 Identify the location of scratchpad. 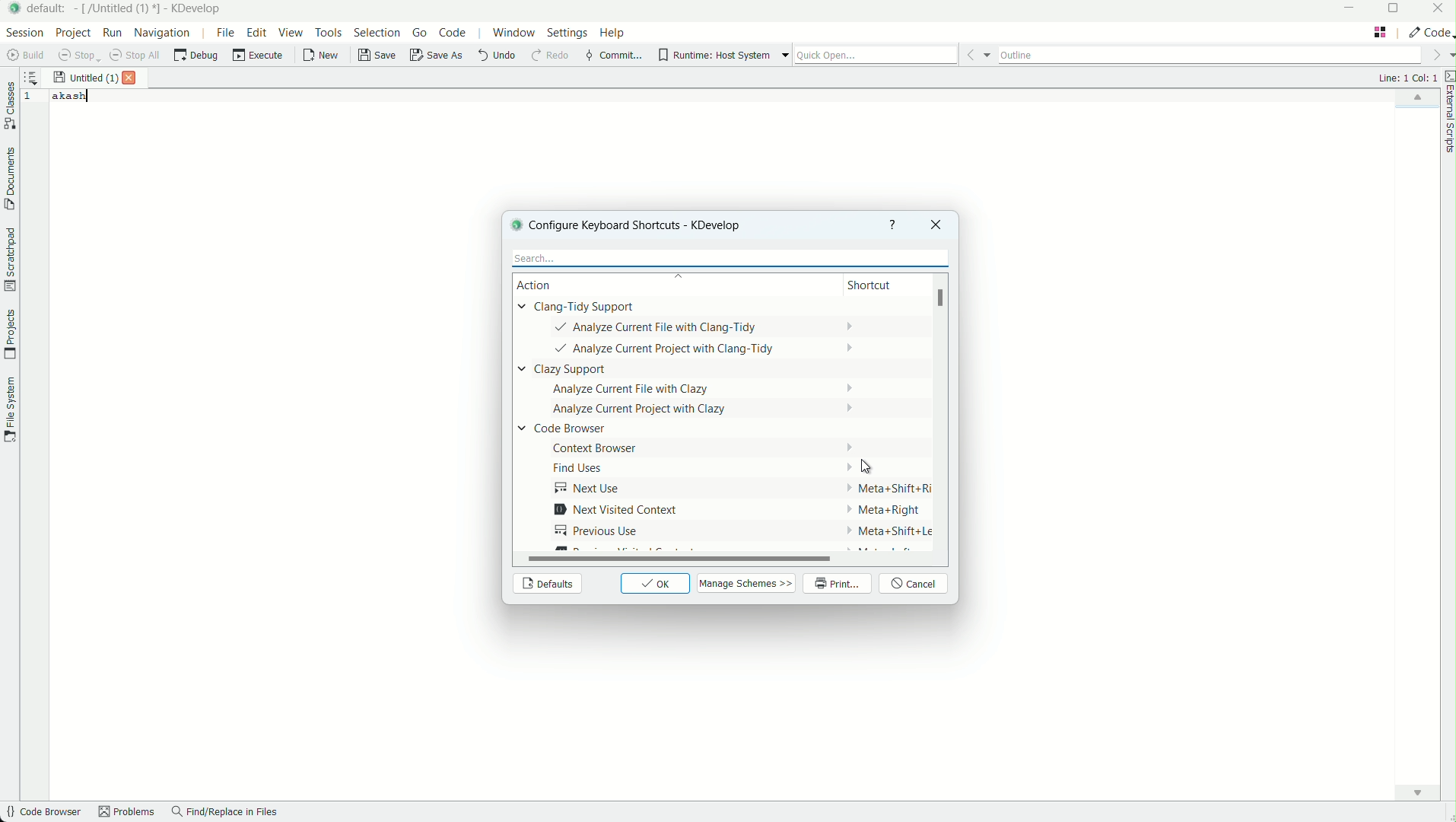
(9, 259).